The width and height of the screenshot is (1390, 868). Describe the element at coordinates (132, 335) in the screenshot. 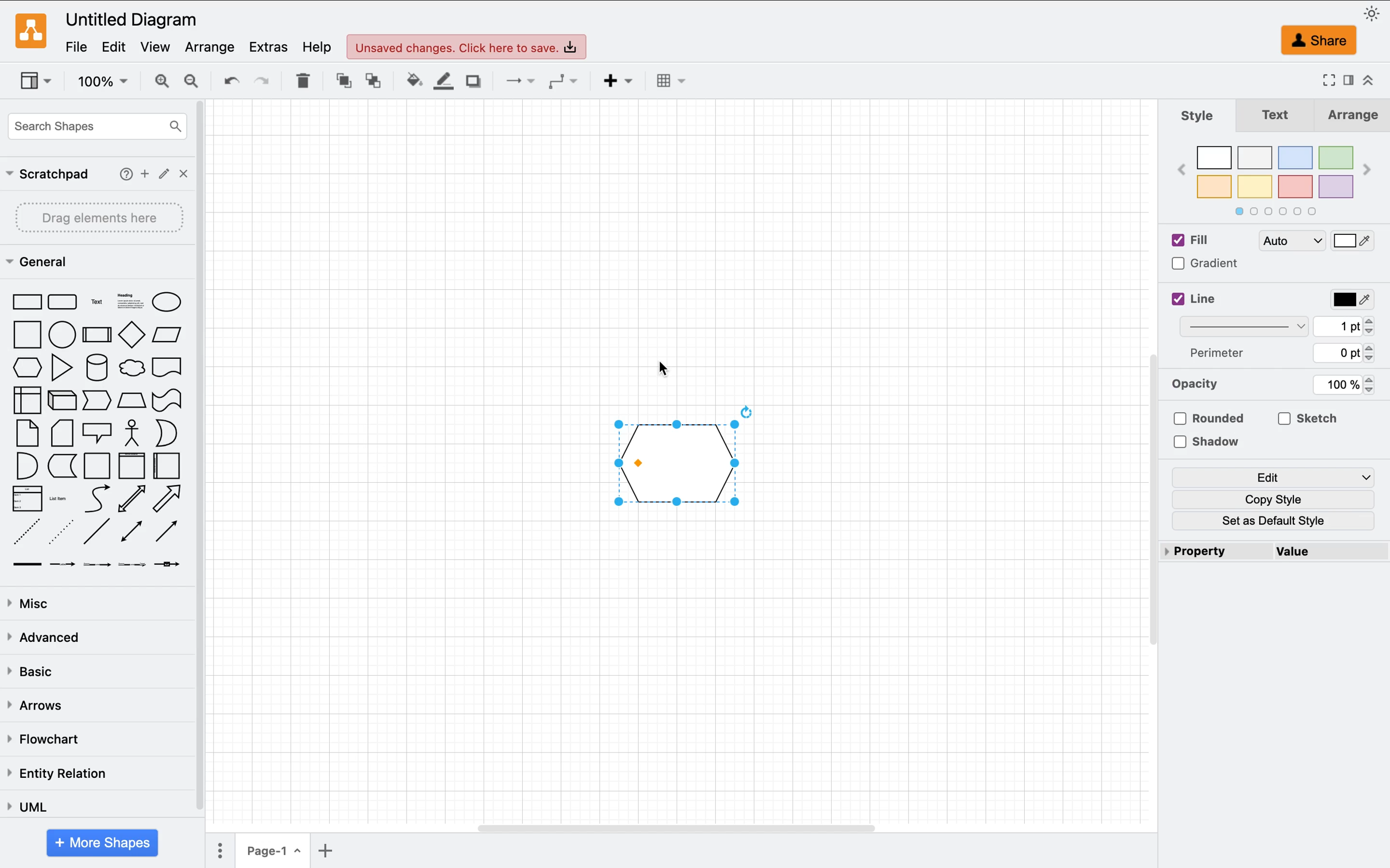

I see `diamond` at that location.